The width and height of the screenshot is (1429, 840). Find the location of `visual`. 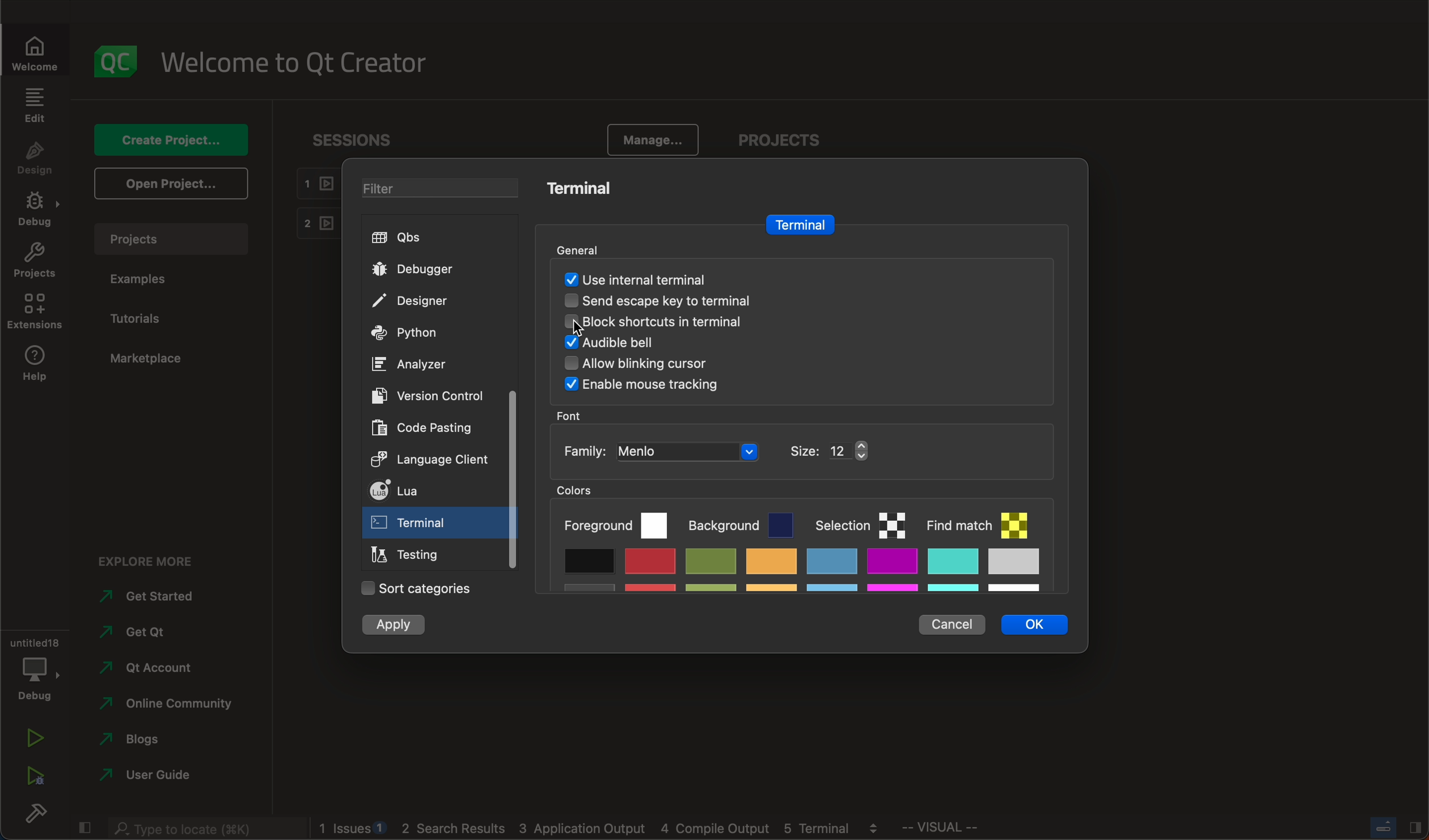

visual is located at coordinates (980, 830).